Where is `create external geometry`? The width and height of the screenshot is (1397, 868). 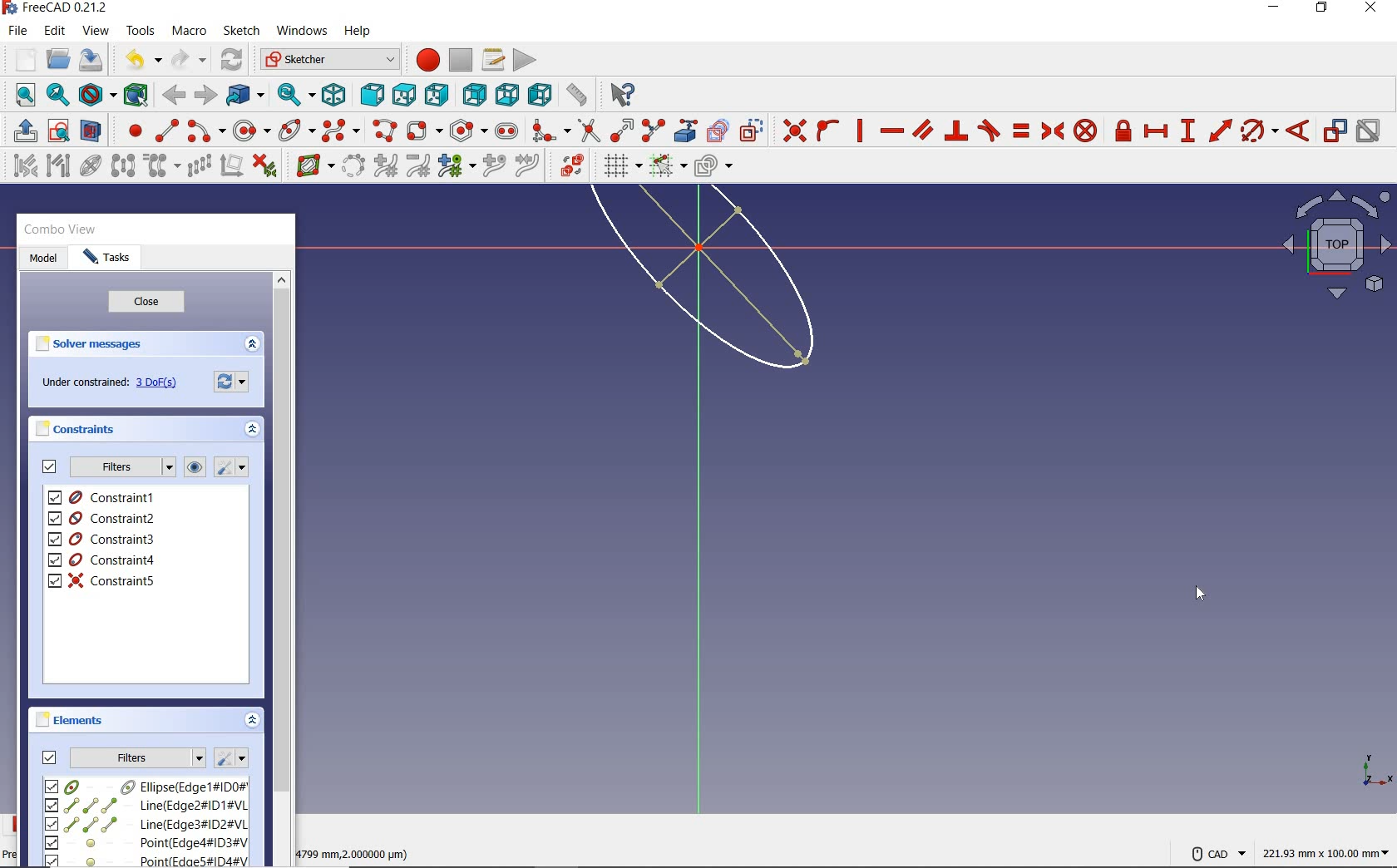 create external geometry is located at coordinates (684, 131).